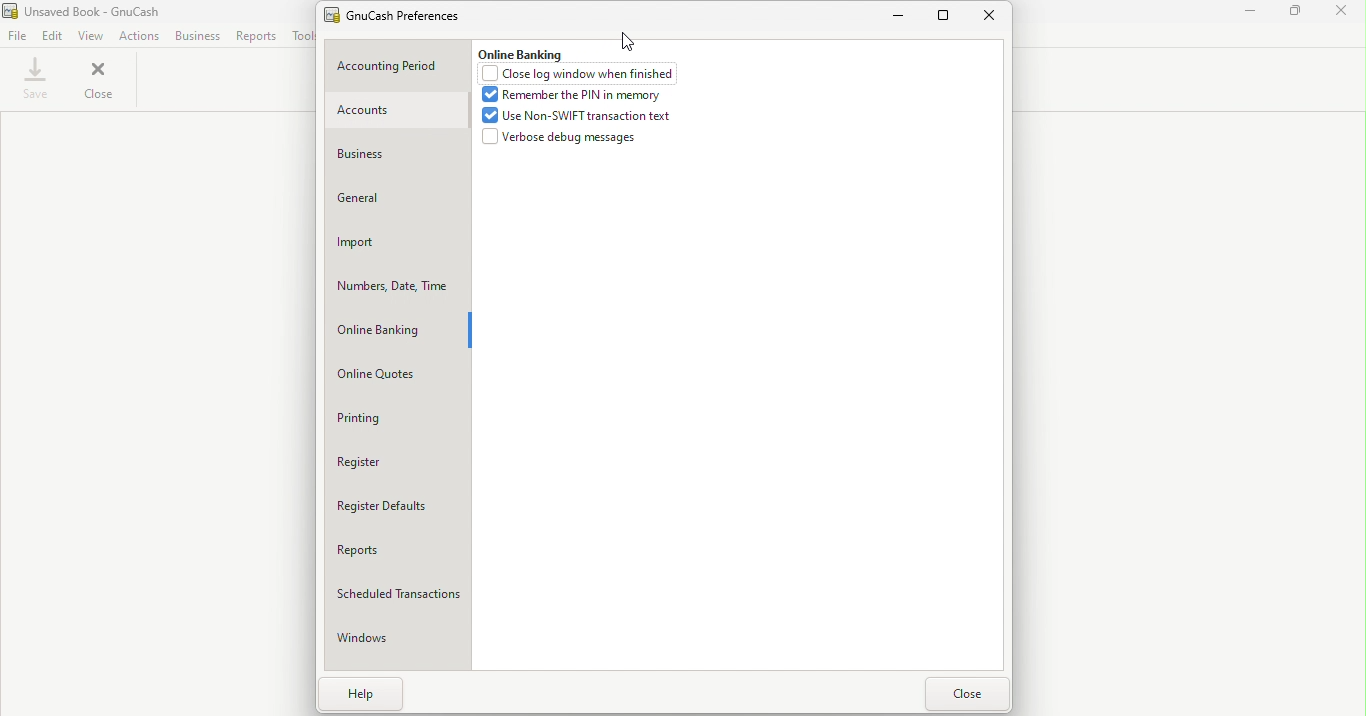  I want to click on GnuCash preferences, so click(402, 14).